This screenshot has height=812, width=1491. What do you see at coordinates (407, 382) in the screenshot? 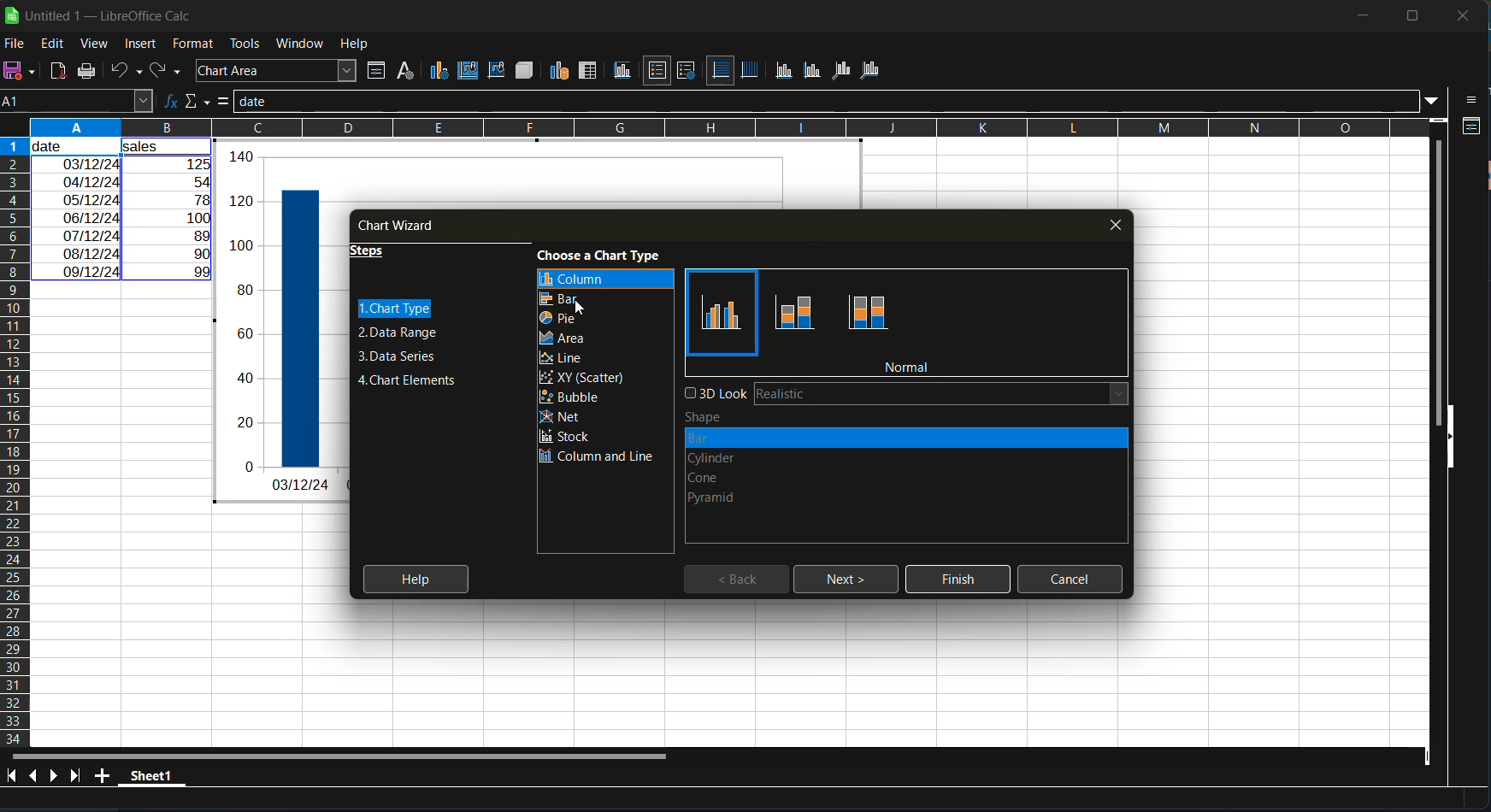
I see `chart elements` at bounding box center [407, 382].